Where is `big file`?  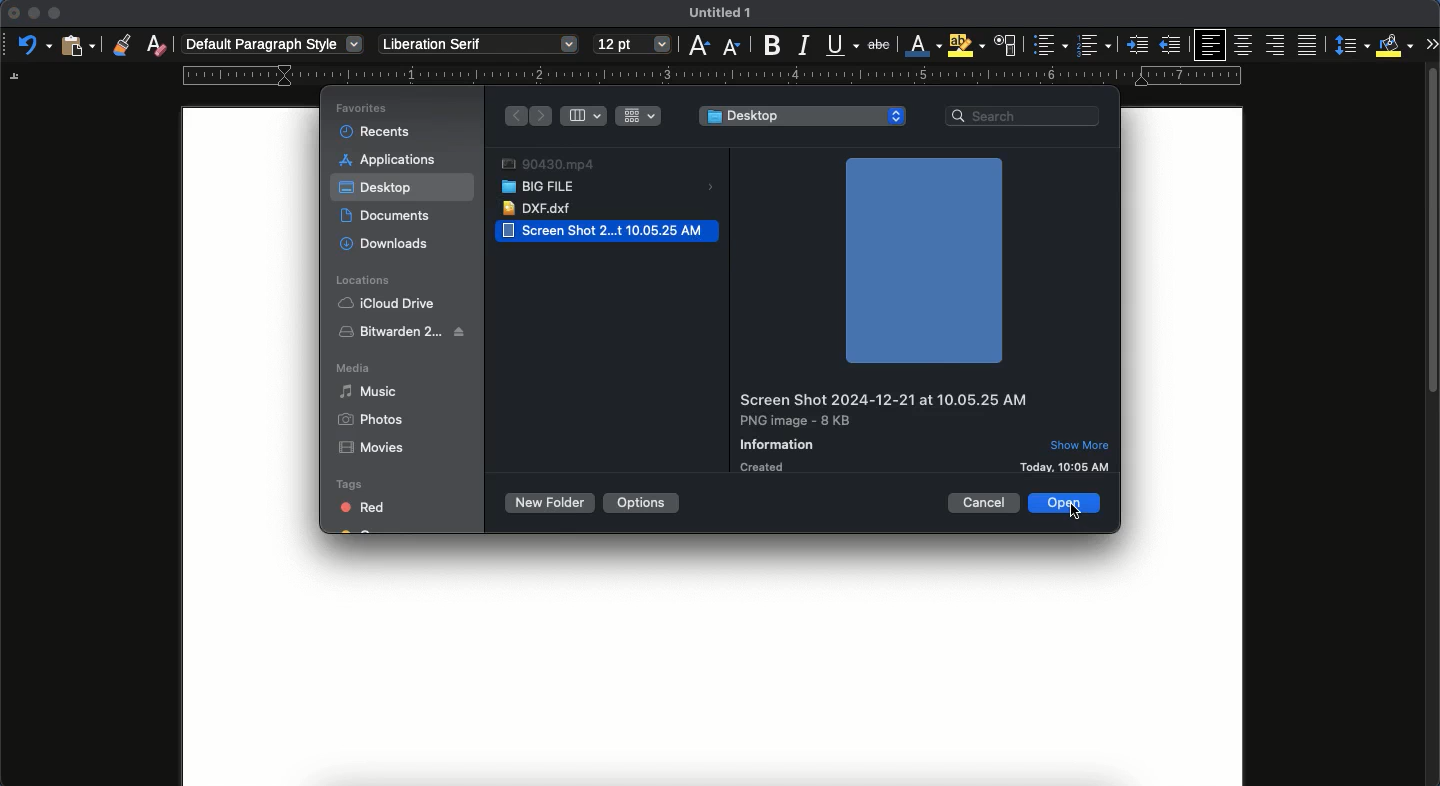 big file is located at coordinates (614, 186).